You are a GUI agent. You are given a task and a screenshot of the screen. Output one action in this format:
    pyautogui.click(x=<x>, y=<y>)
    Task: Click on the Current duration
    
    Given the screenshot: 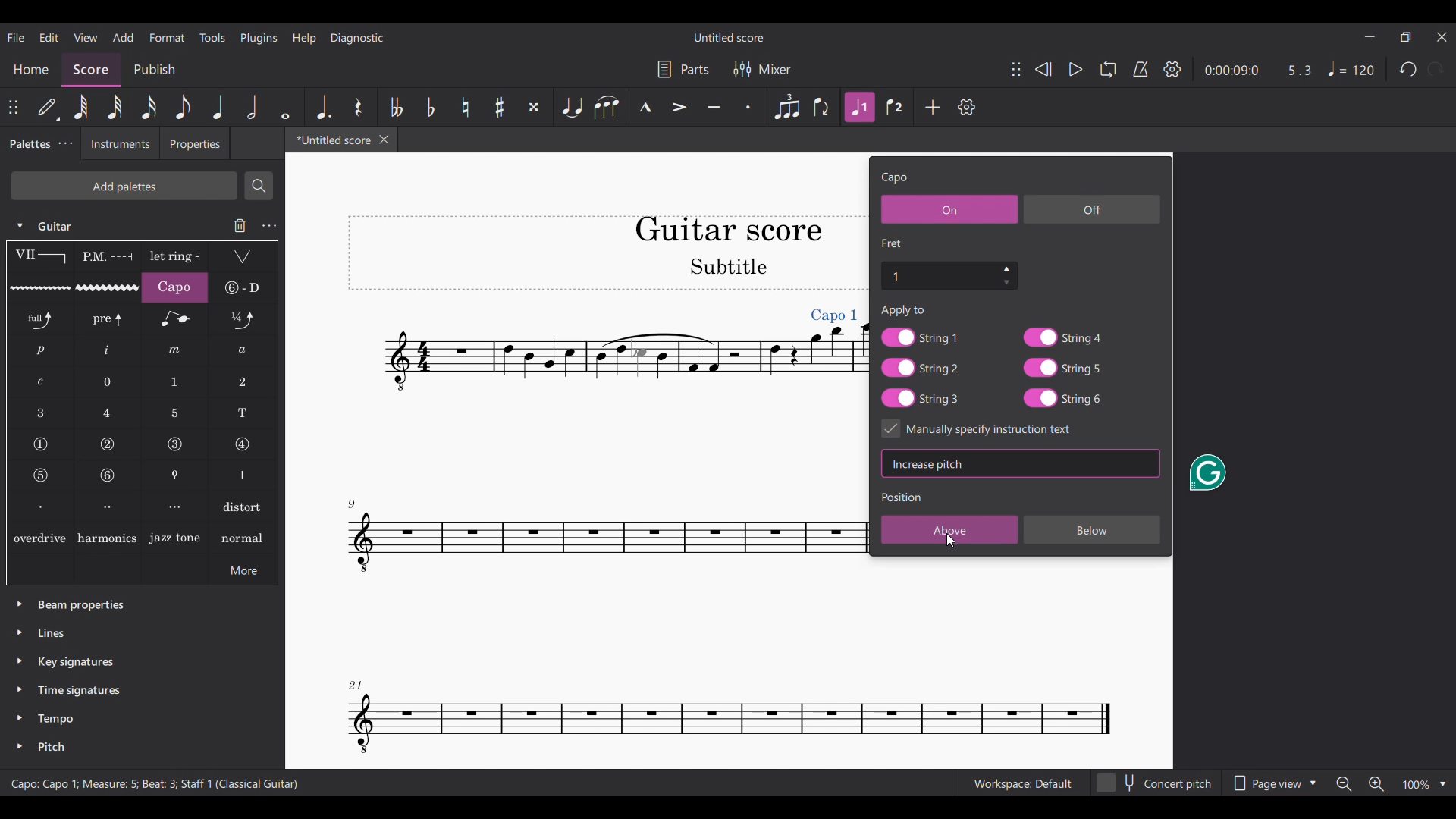 What is the action you would take?
    pyautogui.click(x=1232, y=69)
    